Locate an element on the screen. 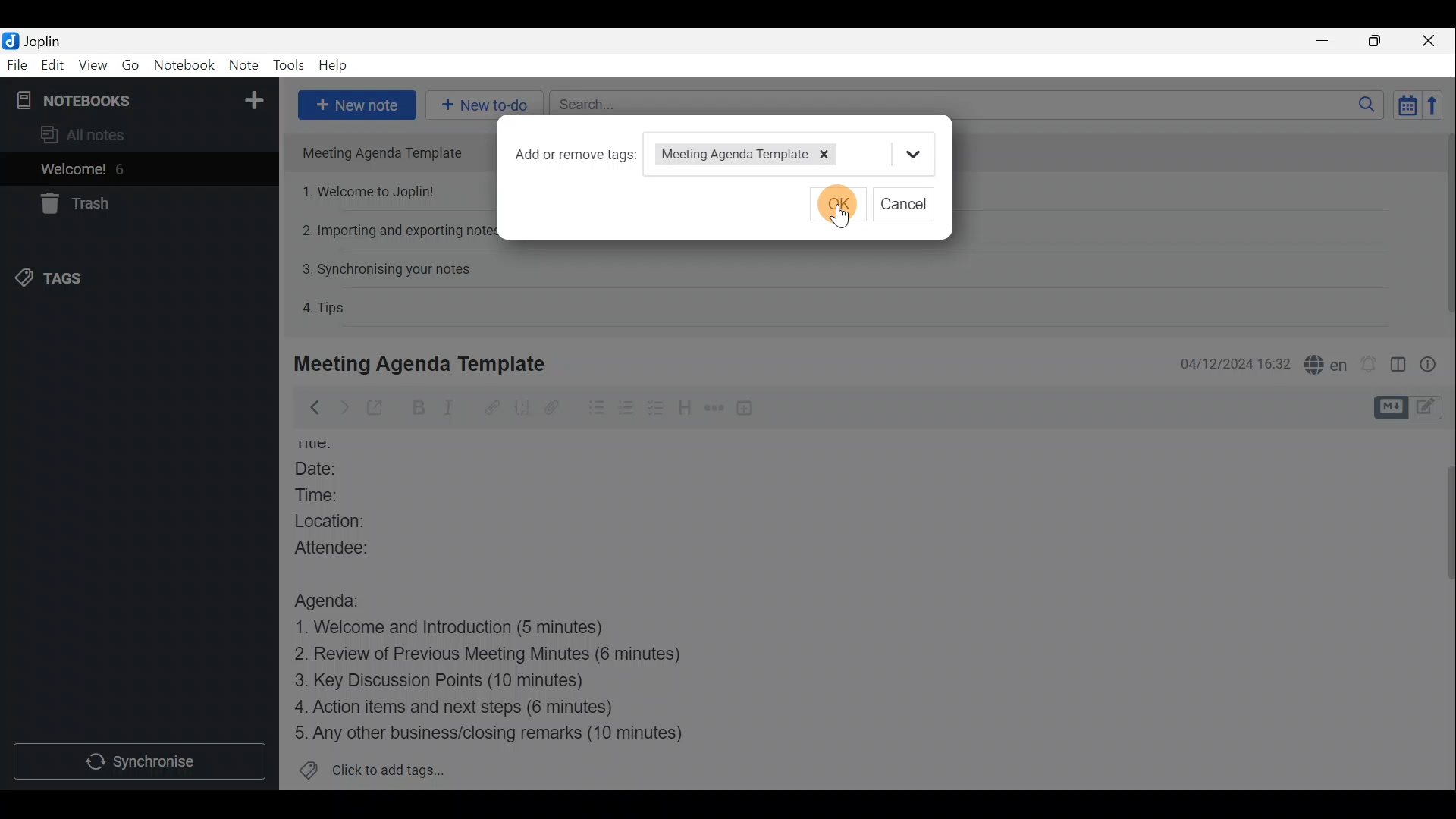 The width and height of the screenshot is (1456, 819). 4. Action items and next steps (6 minutes) is located at coordinates (479, 706).